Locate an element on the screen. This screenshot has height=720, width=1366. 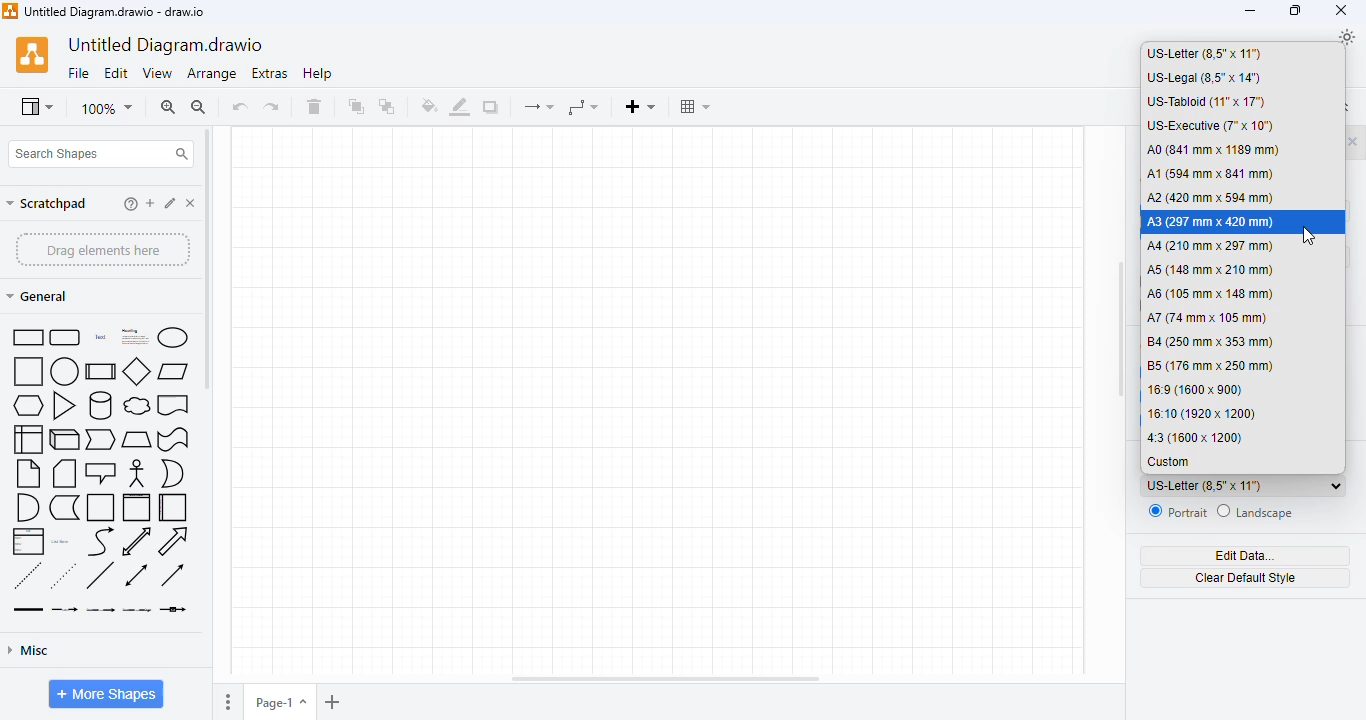
help is located at coordinates (131, 204).